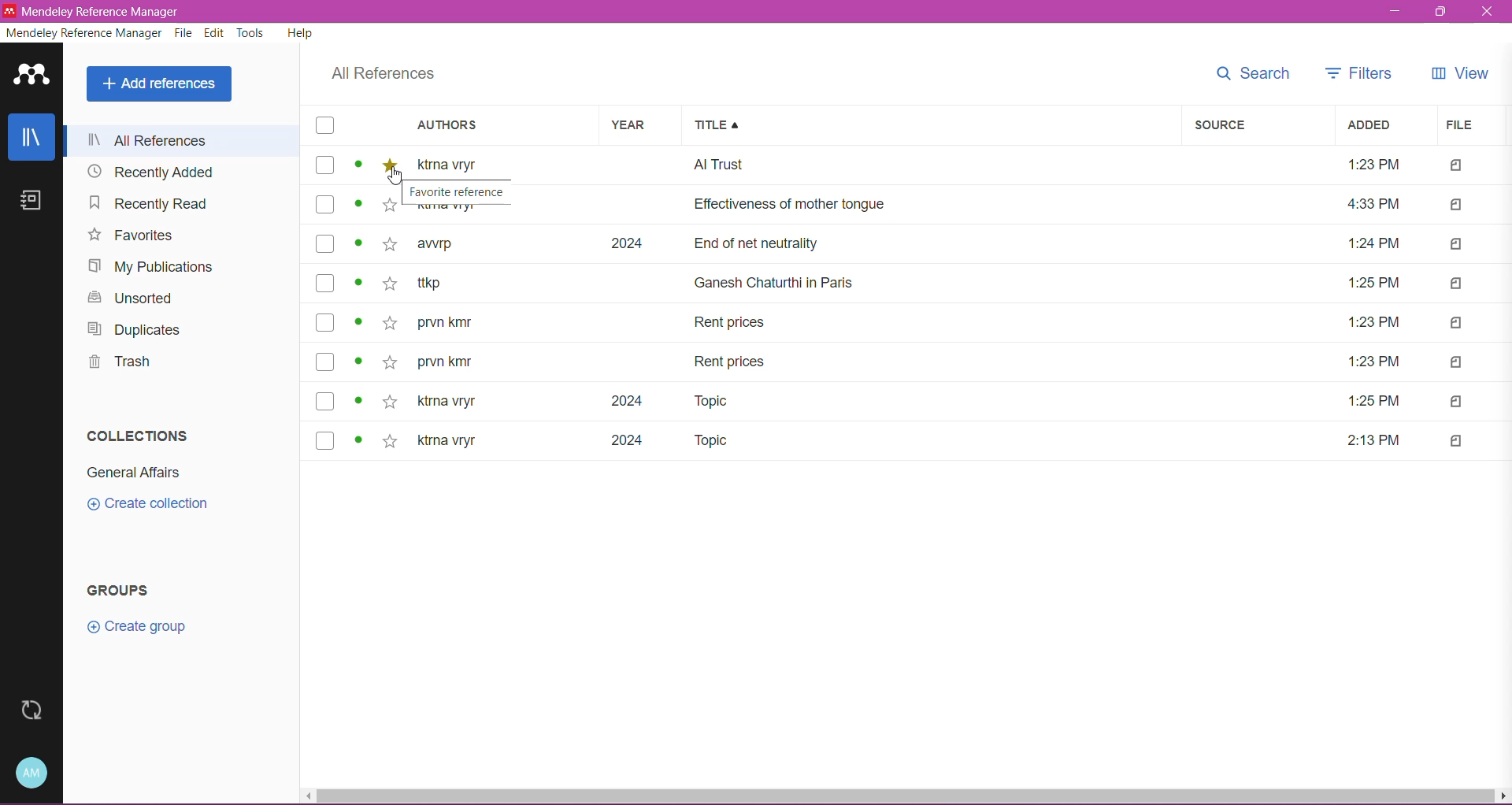  I want to click on All References, so click(379, 75).